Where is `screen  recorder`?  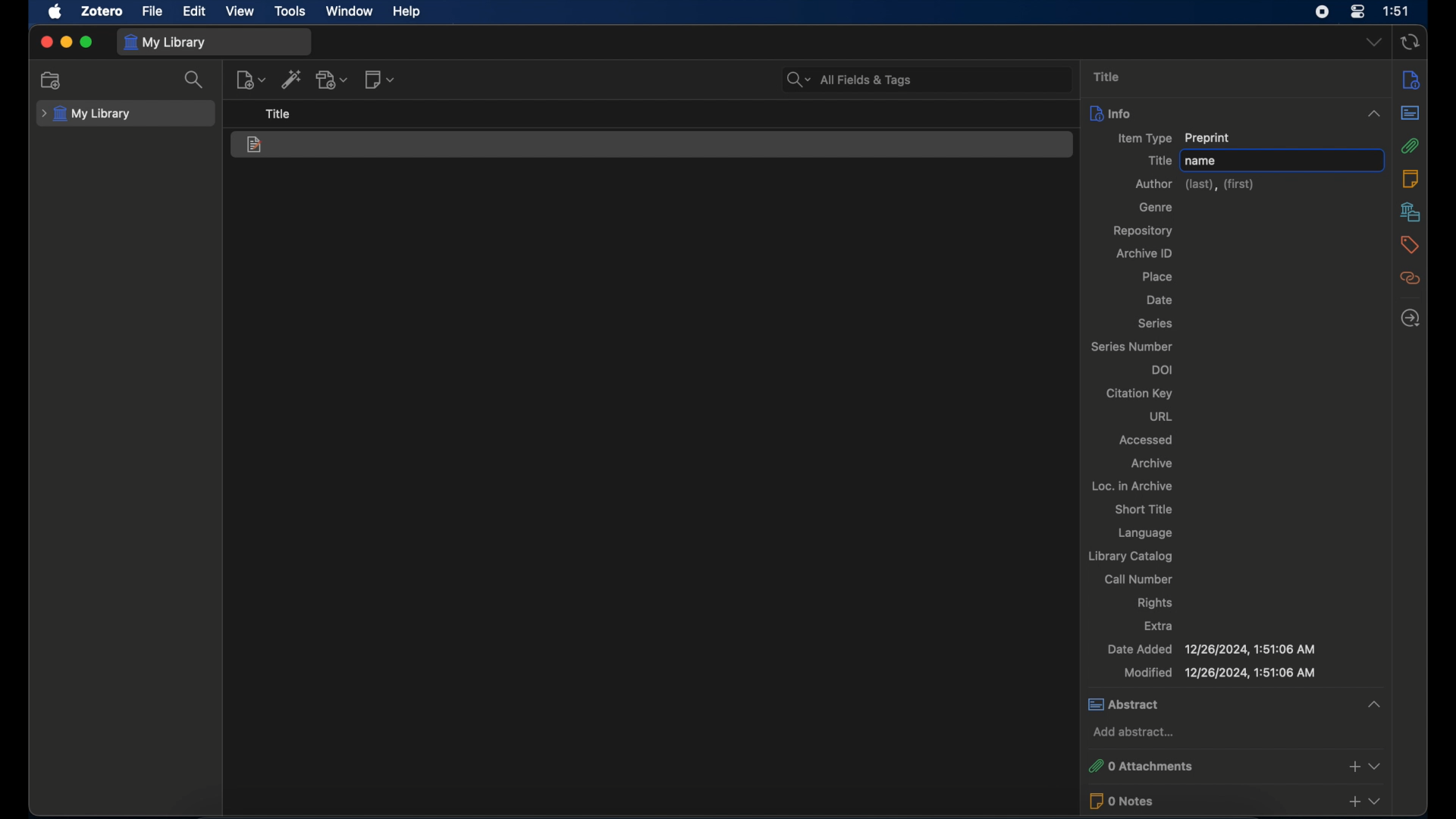
screen  recorder is located at coordinates (1321, 12).